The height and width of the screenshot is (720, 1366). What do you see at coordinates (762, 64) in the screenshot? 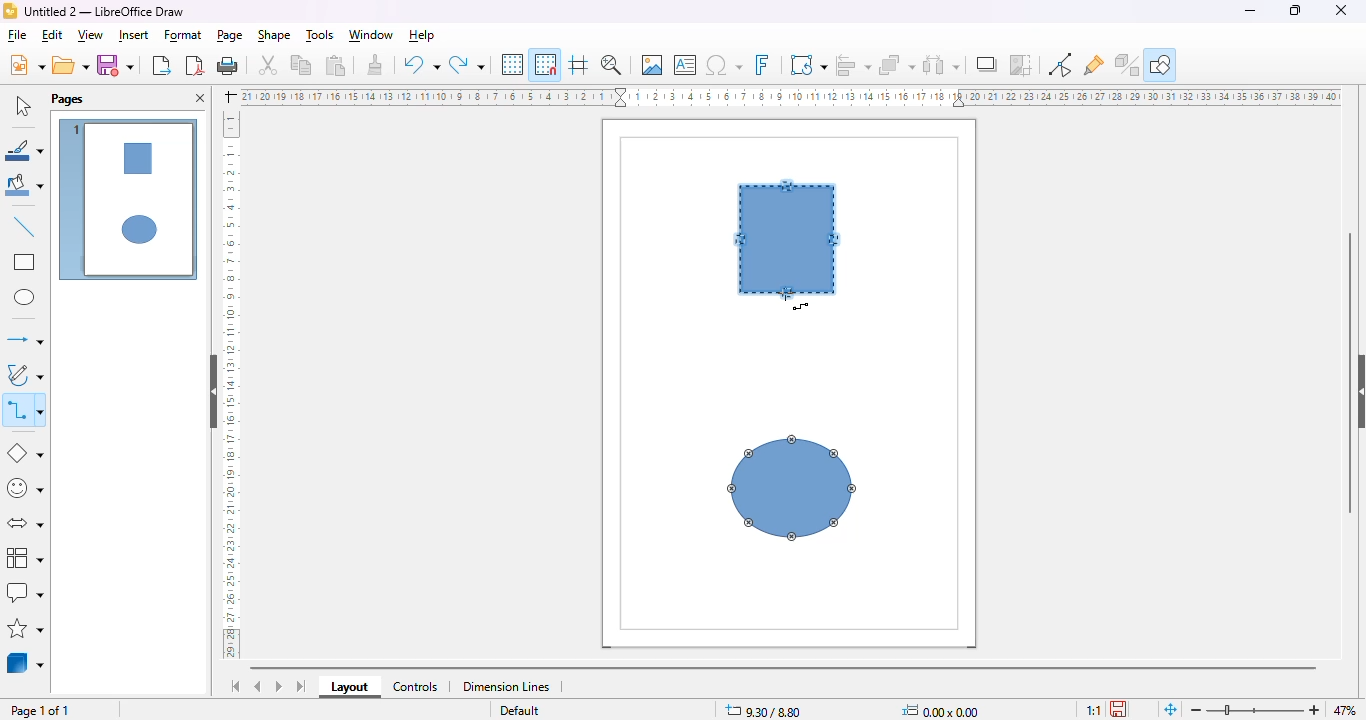
I see `insert fontwork text` at bounding box center [762, 64].